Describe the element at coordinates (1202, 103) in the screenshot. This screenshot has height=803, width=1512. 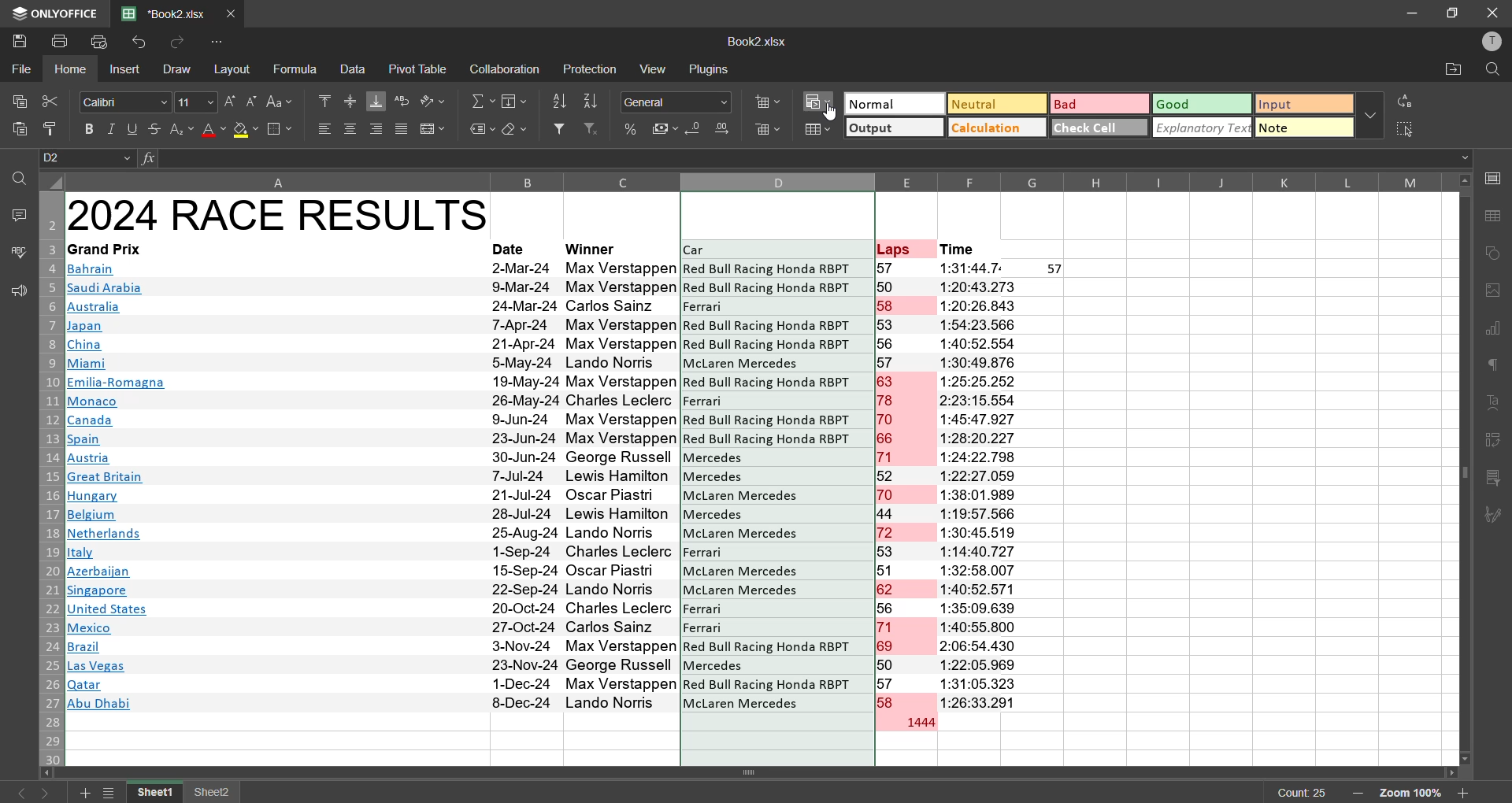
I see `good` at that location.